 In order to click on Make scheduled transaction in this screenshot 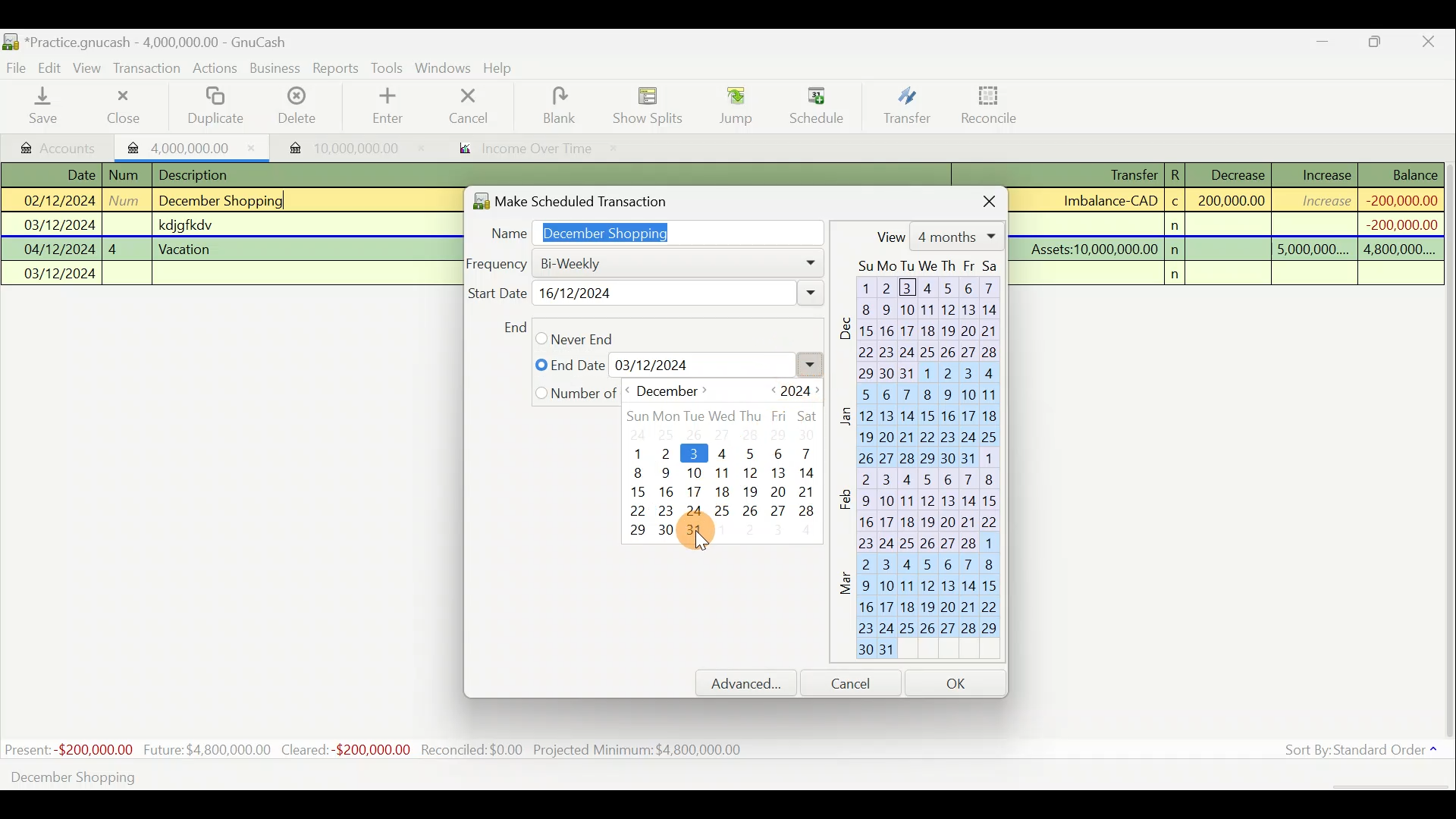, I will do `click(595, 198)`.